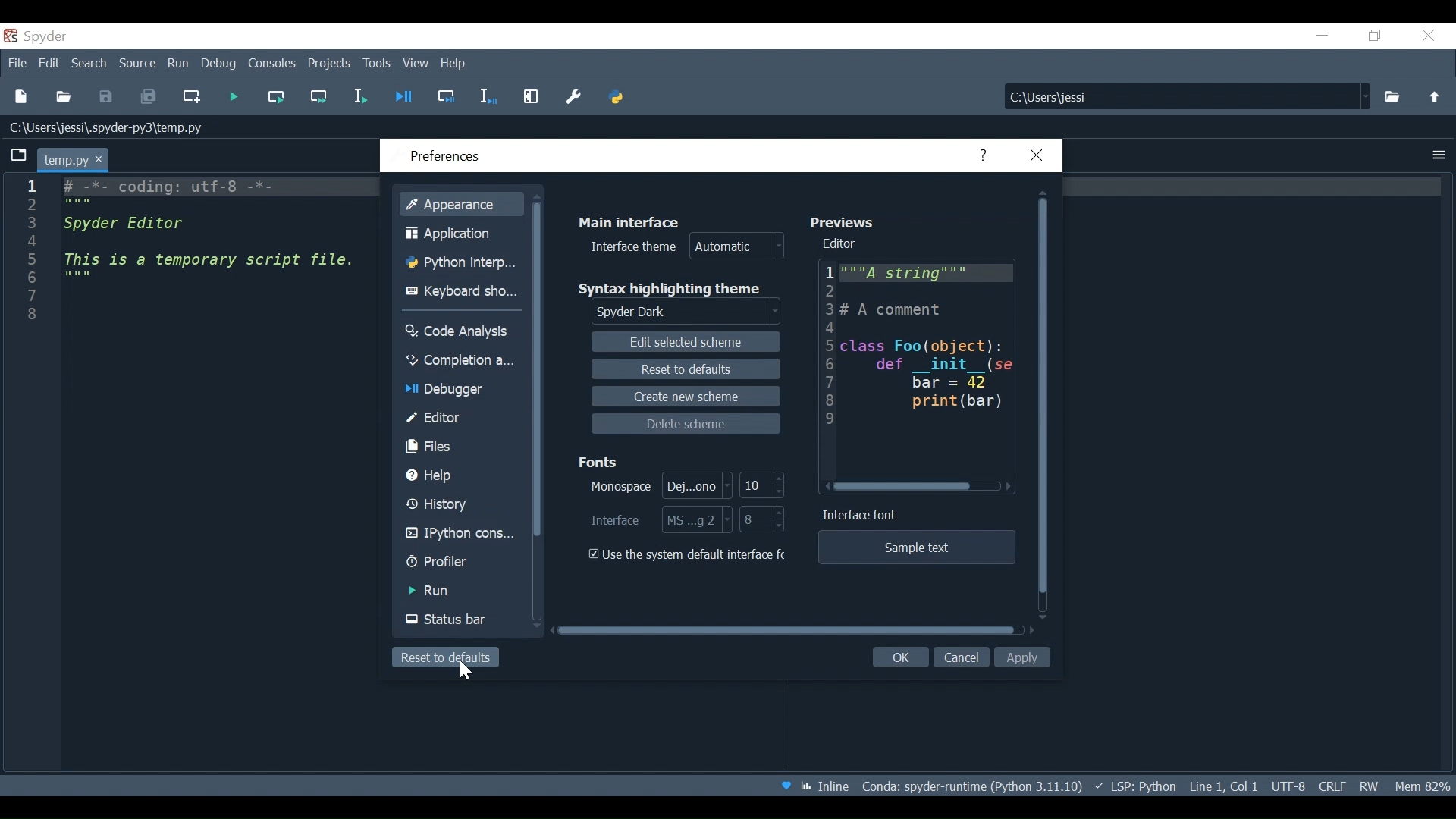 Image resolution: width=1456 pixels, height=819 pixels. What do you see at coordinates (689, 555) in the screenshot?
I see `(un)check use the system defaults interface fonts` at bounding box center [689, 555].